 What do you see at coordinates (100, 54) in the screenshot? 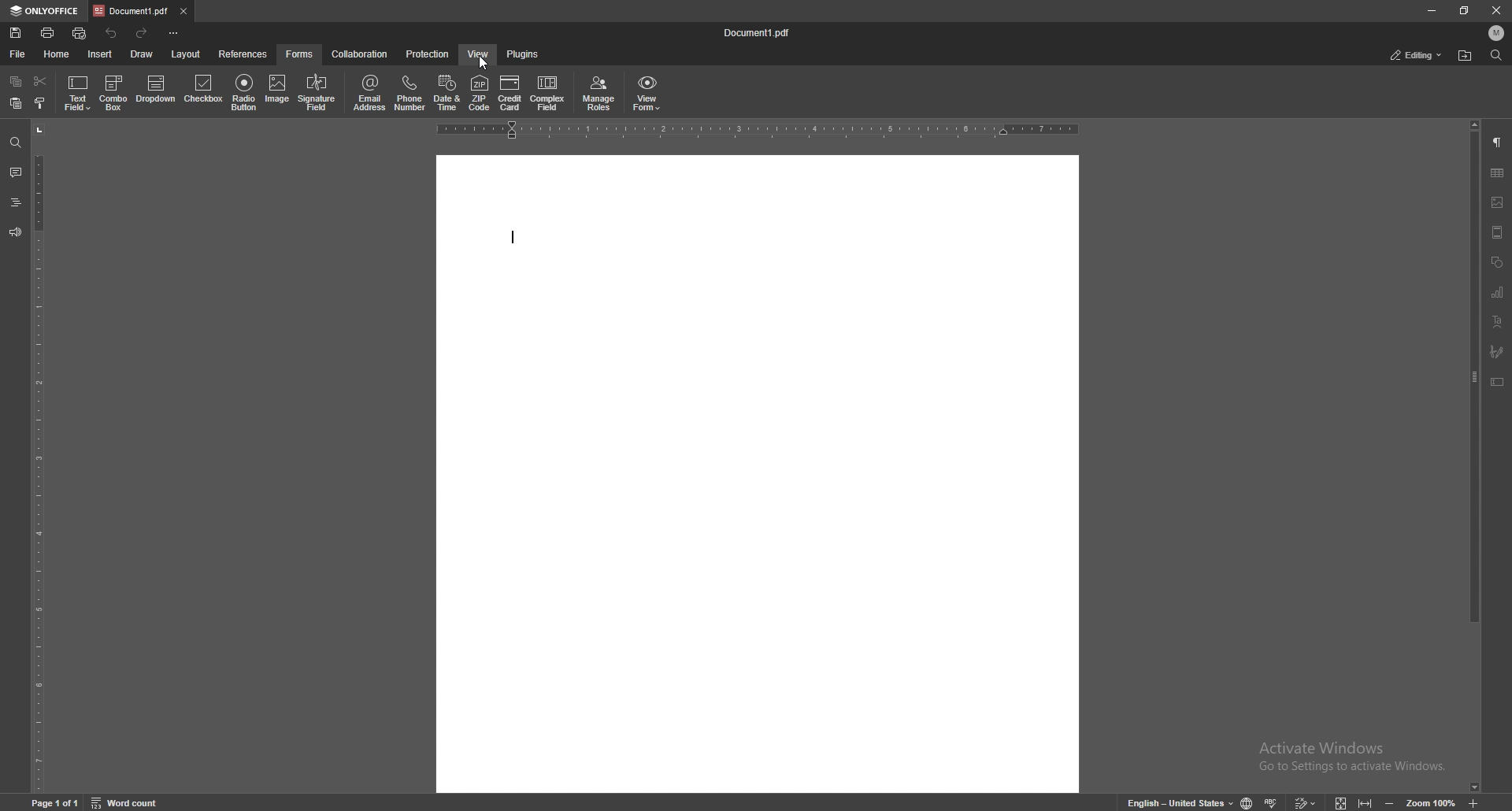
I see `insert` at bounding box center [100, 54].